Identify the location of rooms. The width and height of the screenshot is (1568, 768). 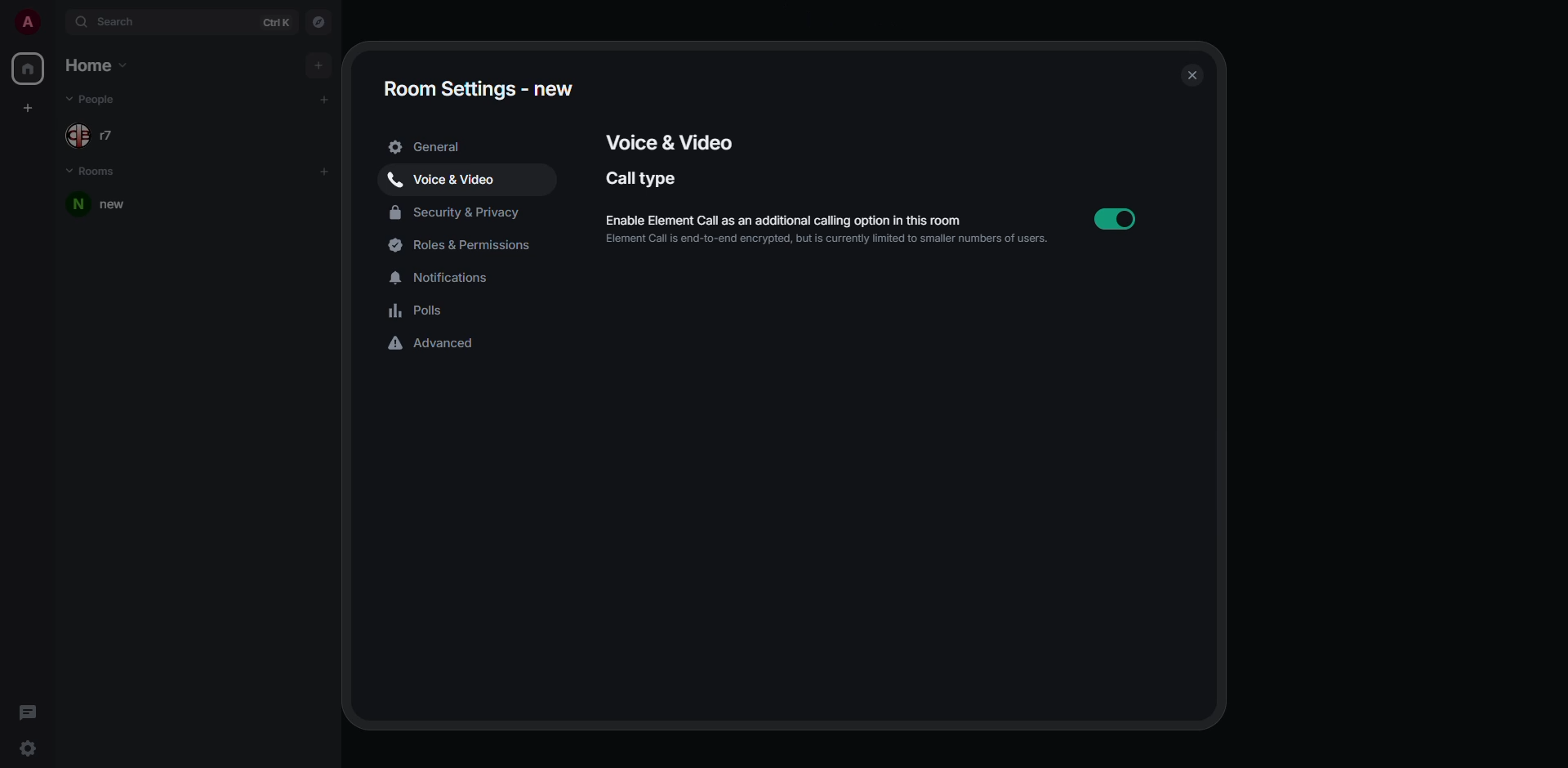
(95, 172).